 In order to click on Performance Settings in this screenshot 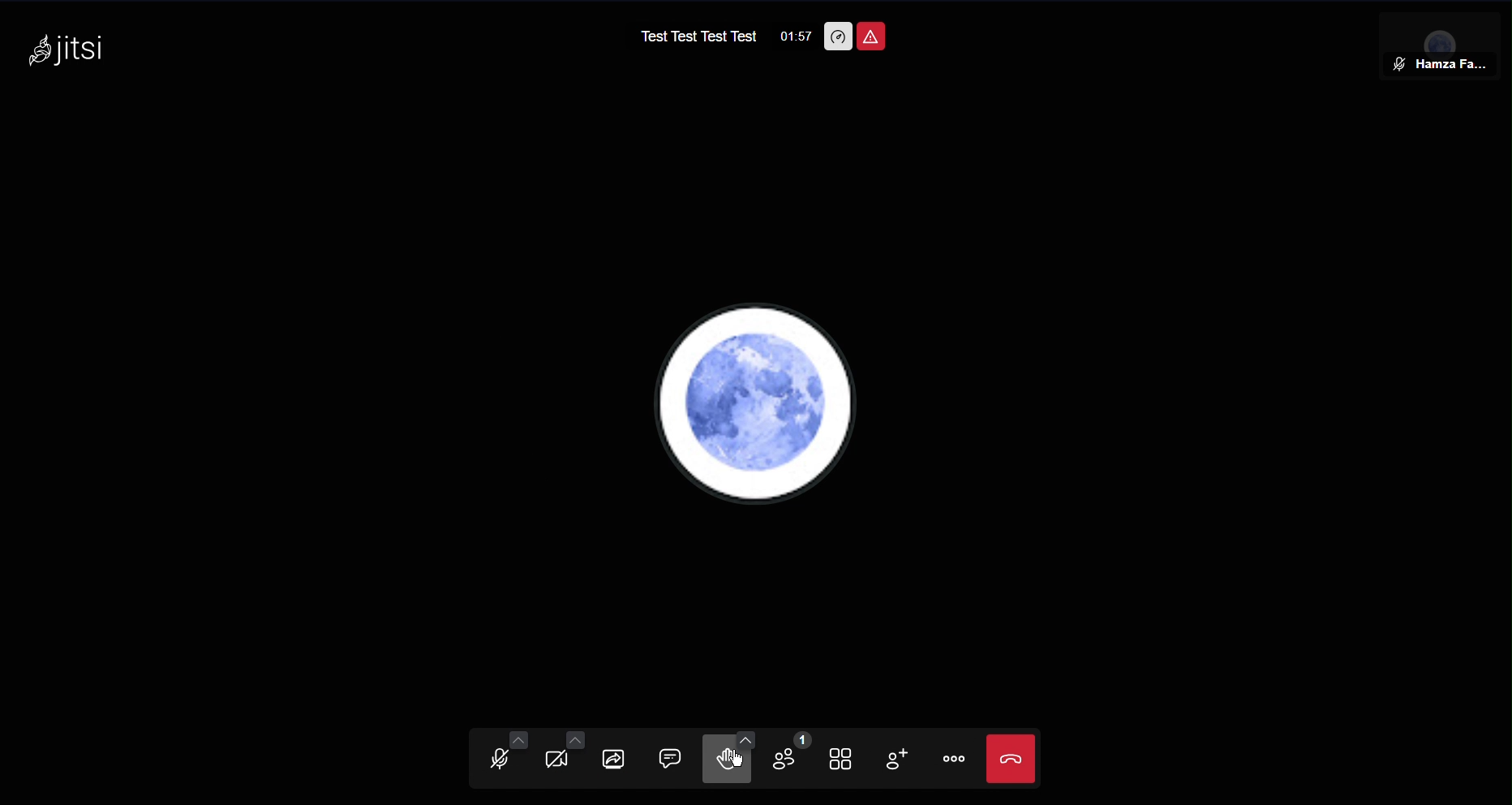, I will do `click(839, 35)`.